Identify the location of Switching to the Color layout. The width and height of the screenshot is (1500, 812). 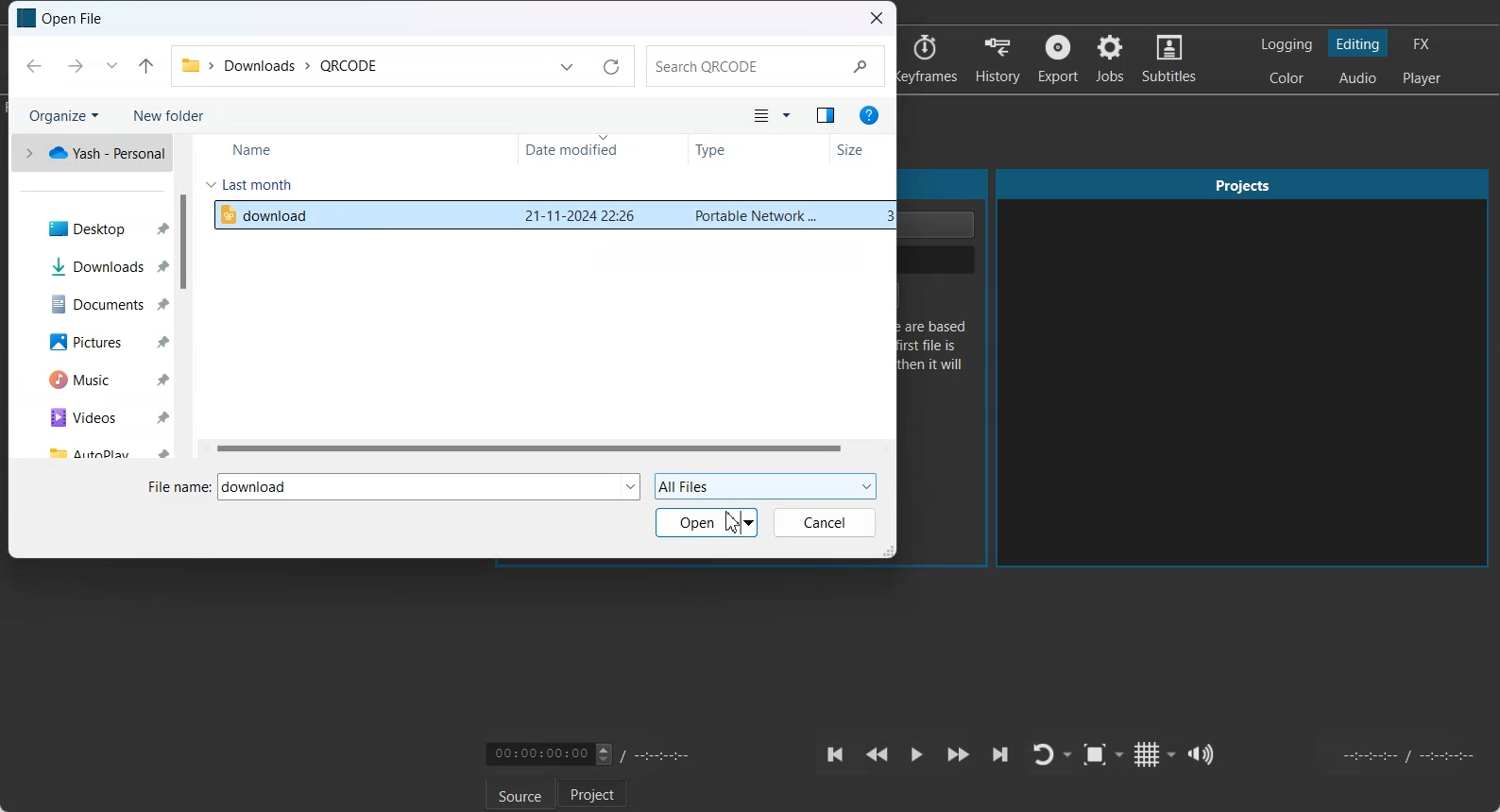
(1287, 78).